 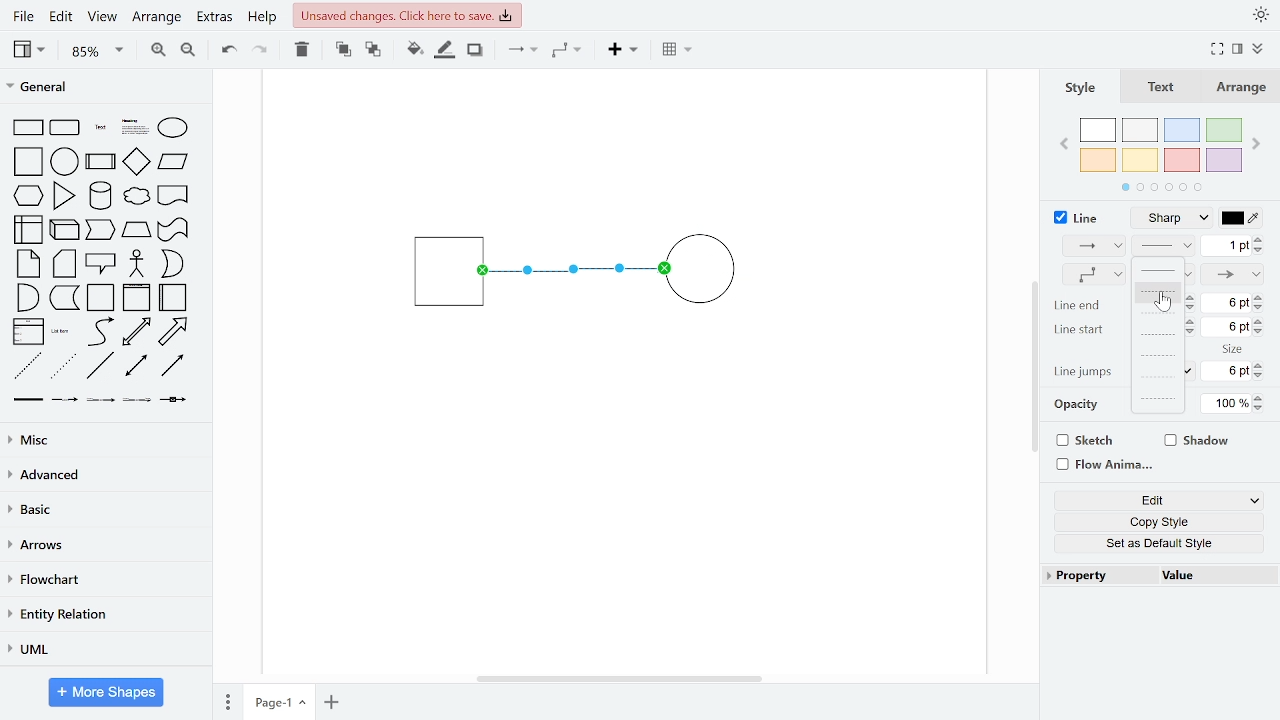 What do you see at coordinates (102, 439) in the screenshot?
I see `misc` at bounding box center [102, 439].